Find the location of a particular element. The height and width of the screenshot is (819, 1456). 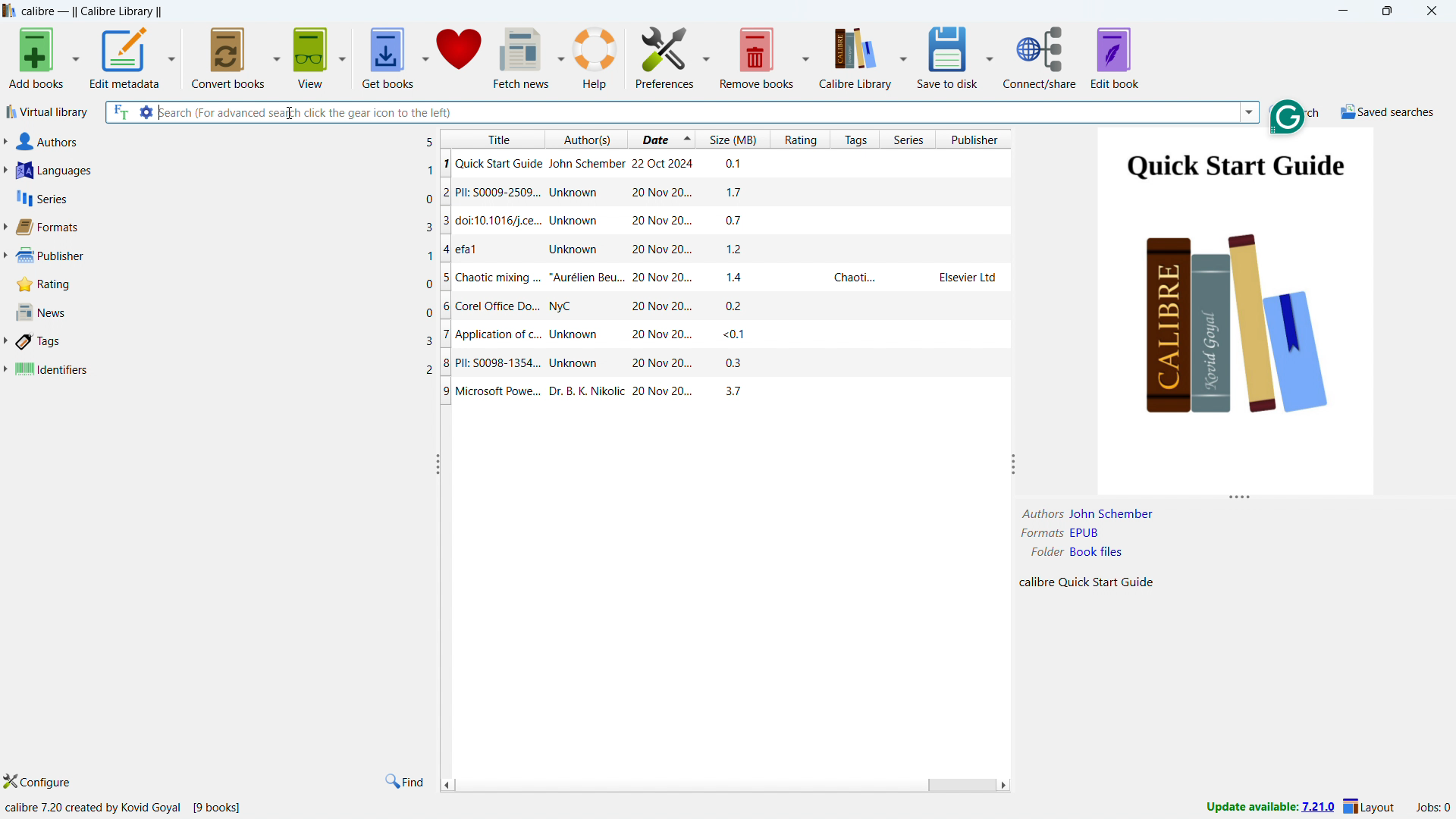

get books is located at coordinates (388, 56).